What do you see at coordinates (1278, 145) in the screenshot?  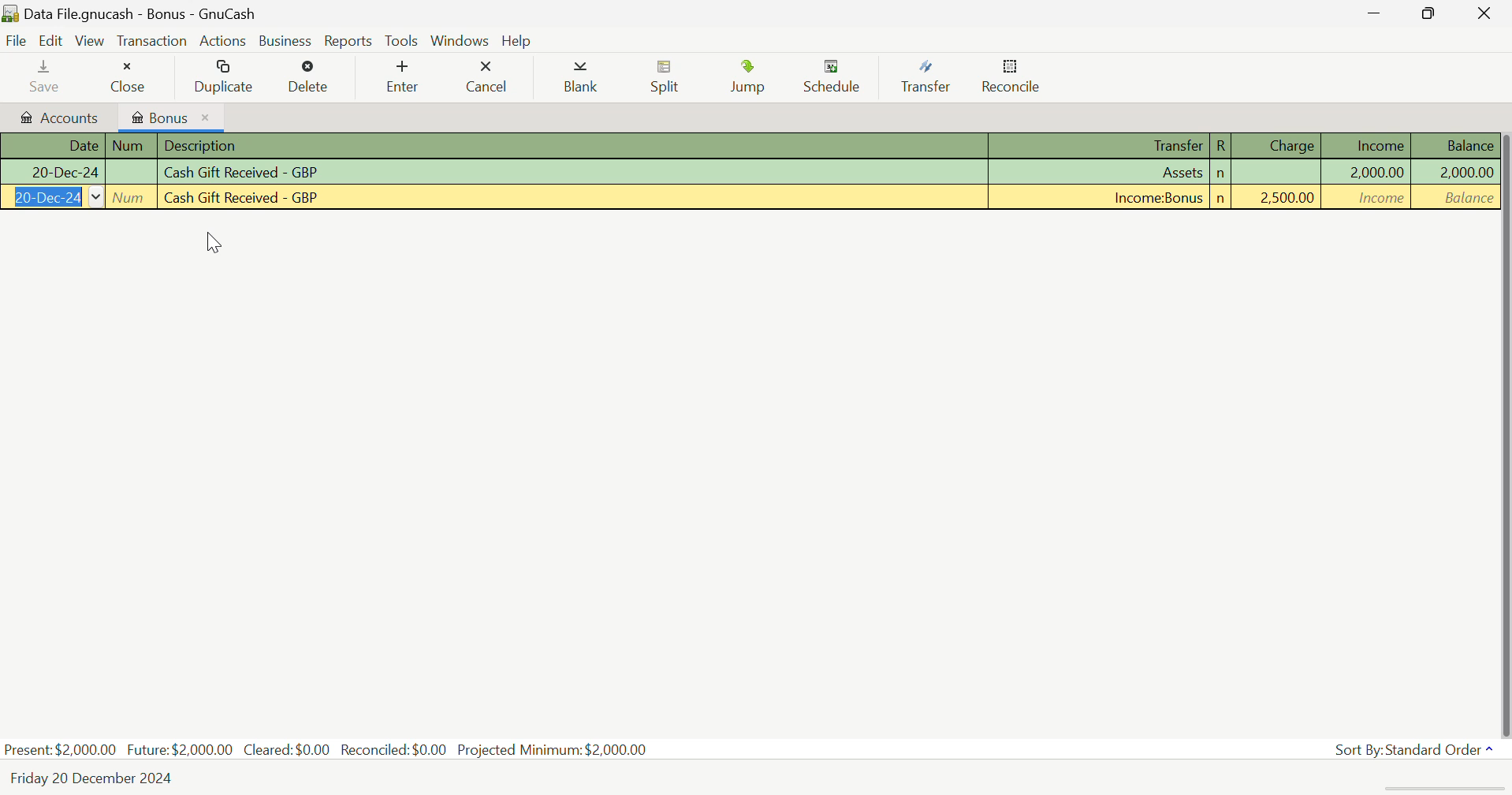 I see `Charge` at bounding box center [1278, 145].